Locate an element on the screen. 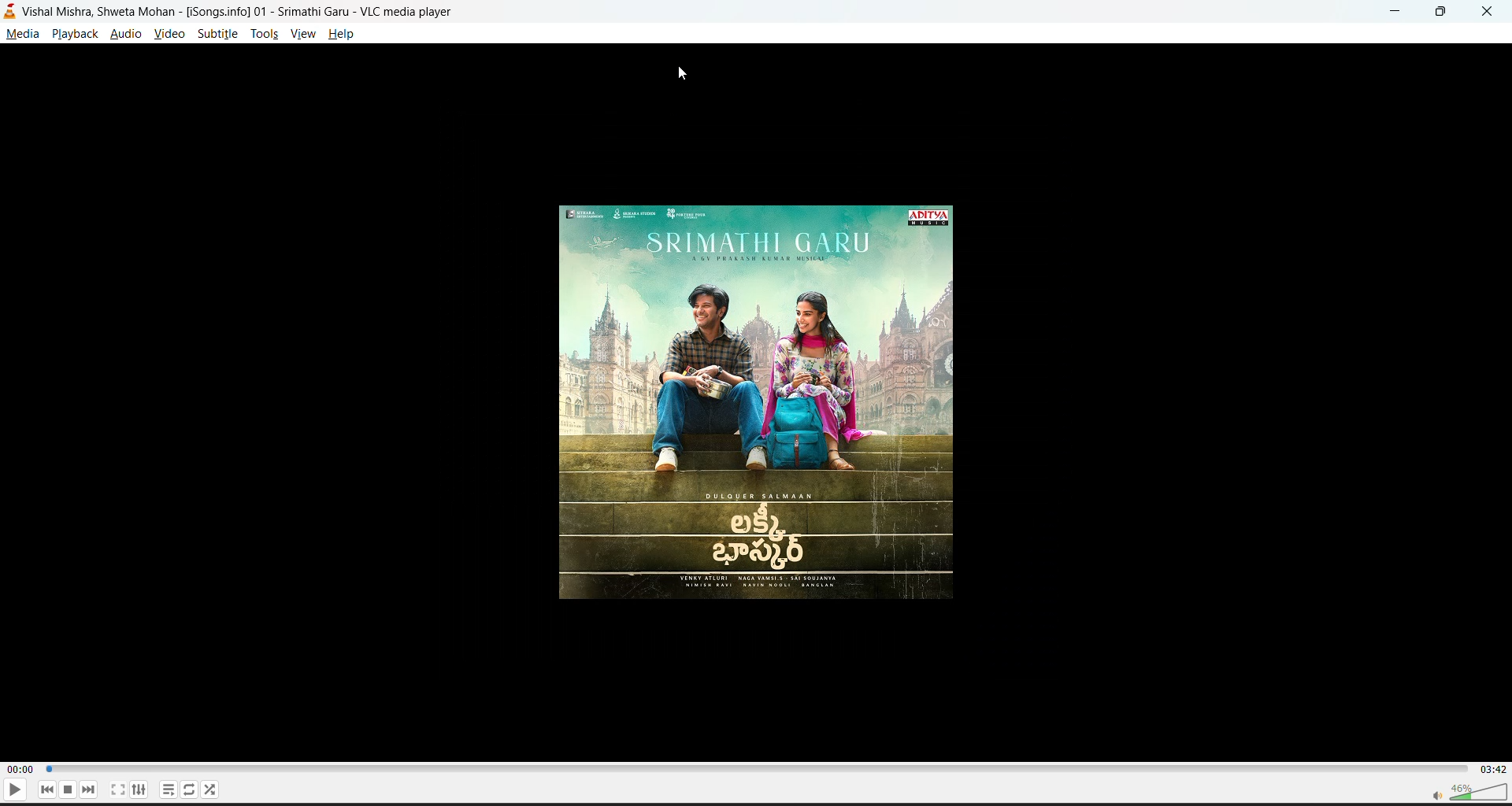  track slider is located at coordinates (754, 767).